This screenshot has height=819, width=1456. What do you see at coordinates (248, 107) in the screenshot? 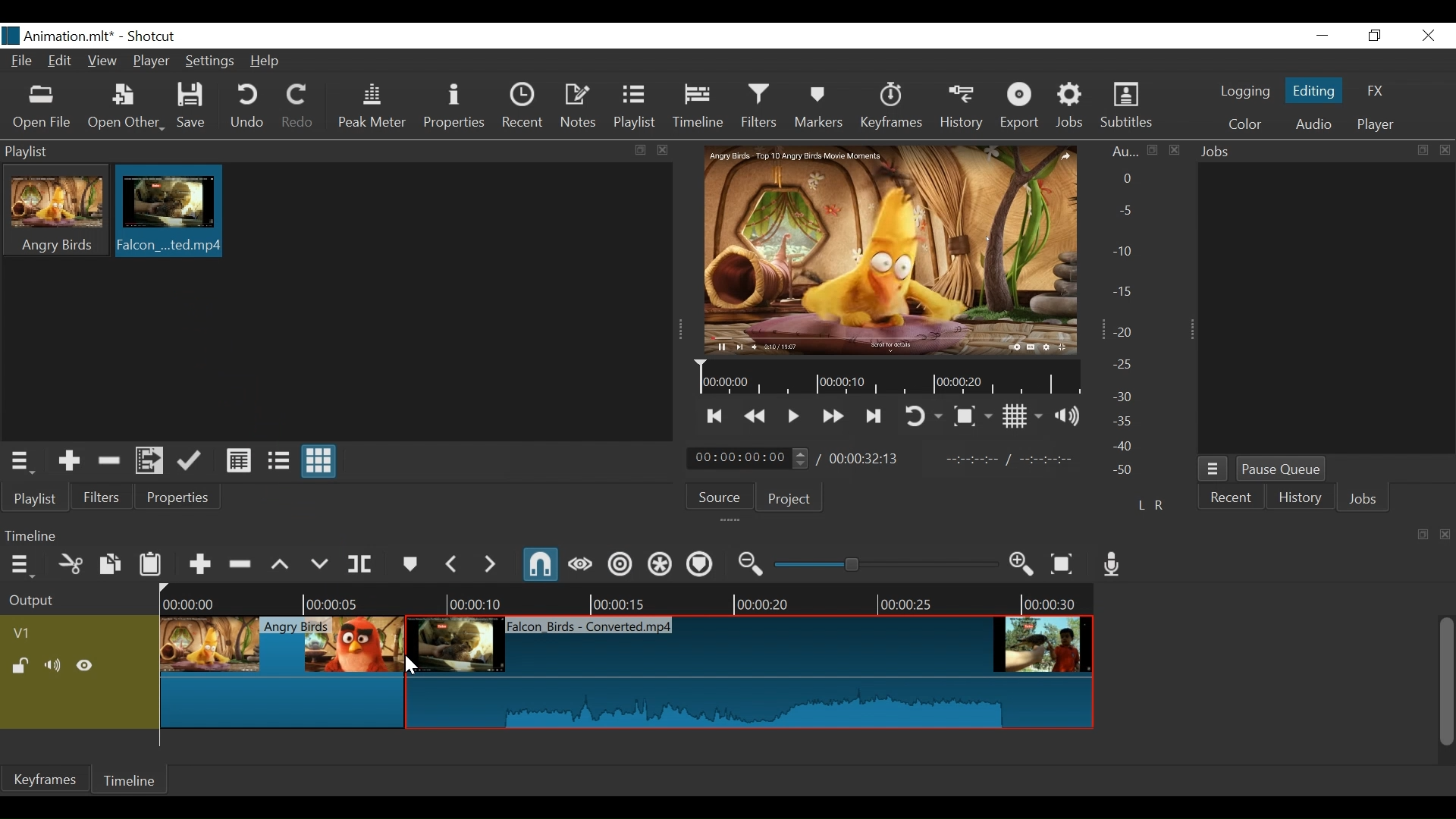
I see `Undo` at bounding box center [248, 107].